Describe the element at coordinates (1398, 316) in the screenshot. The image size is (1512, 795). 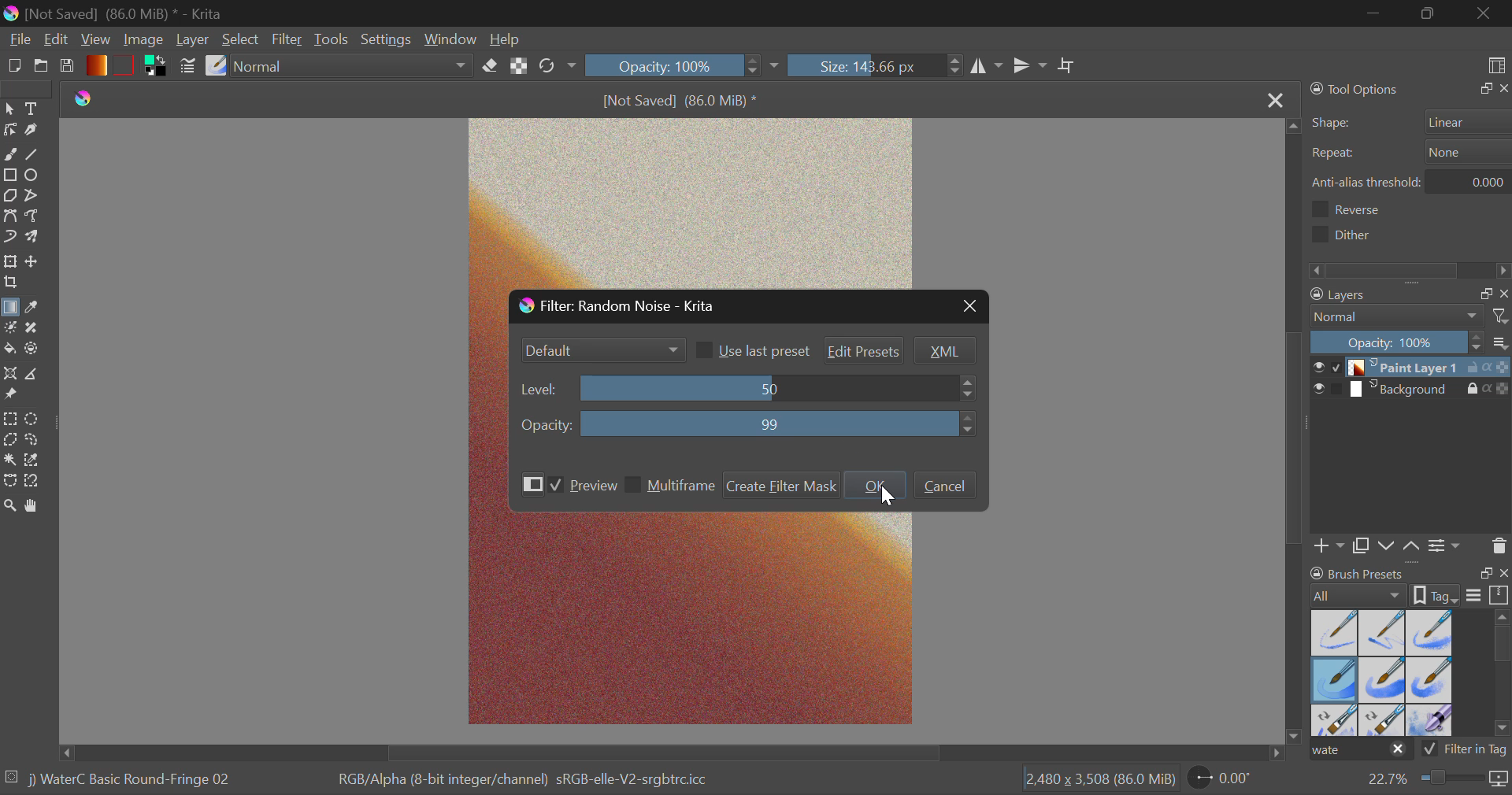
I see `normal` at that location.